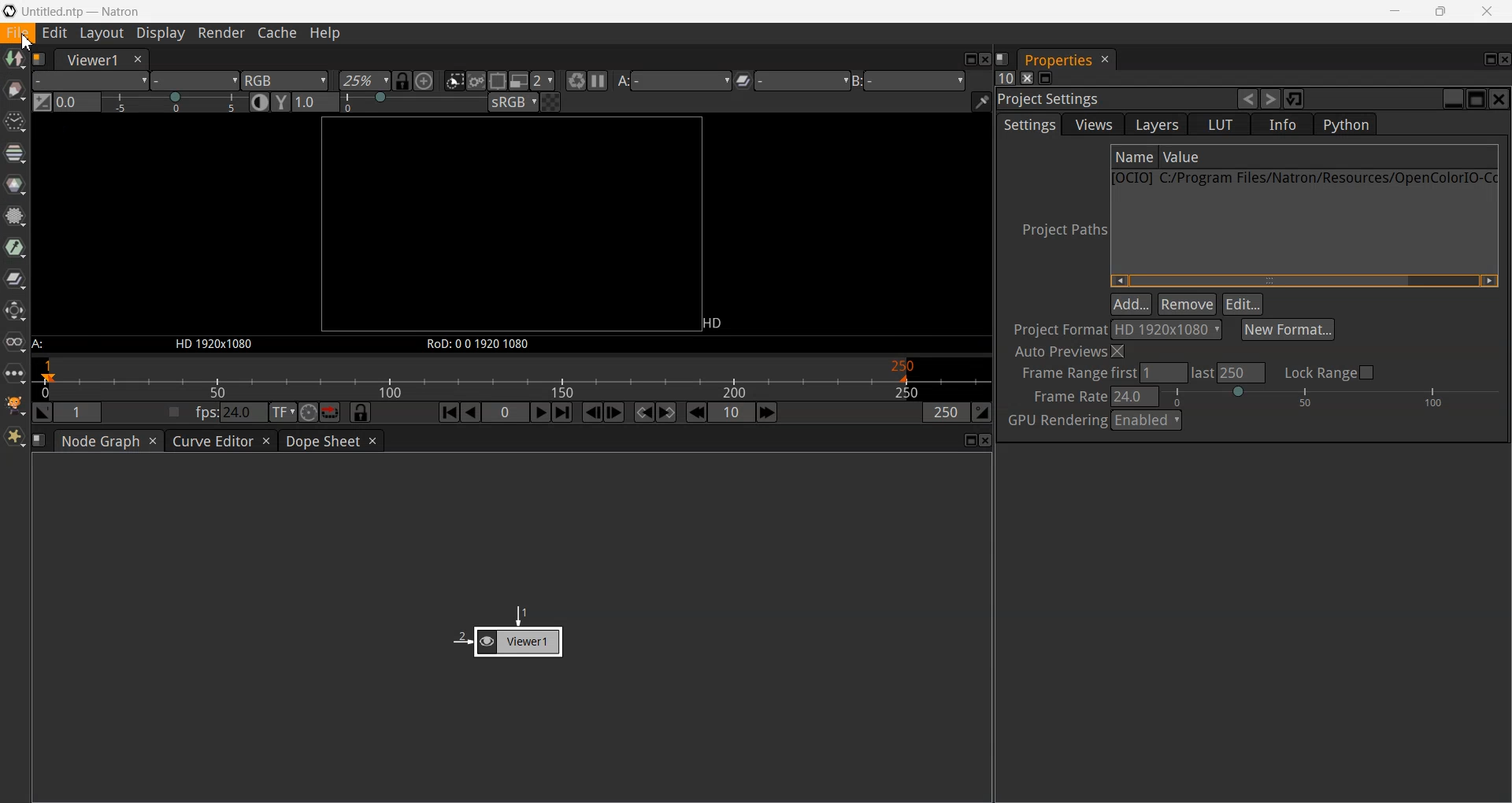 The height and width of the screenshot is (803, 1512). What do you see at coordinates (278, 34) in the screenshot?
I see `Cache` at bounding box center [278, 34].